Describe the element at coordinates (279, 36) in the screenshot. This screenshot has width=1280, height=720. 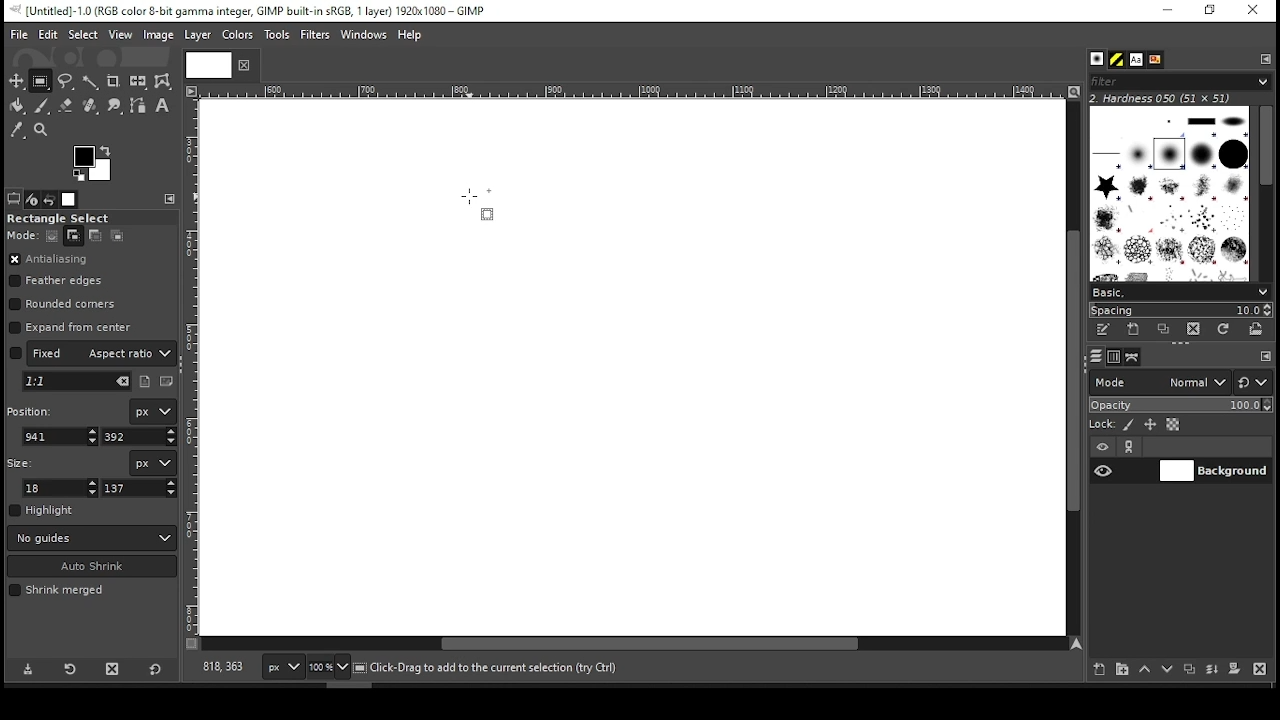
I see `tools` at that location.